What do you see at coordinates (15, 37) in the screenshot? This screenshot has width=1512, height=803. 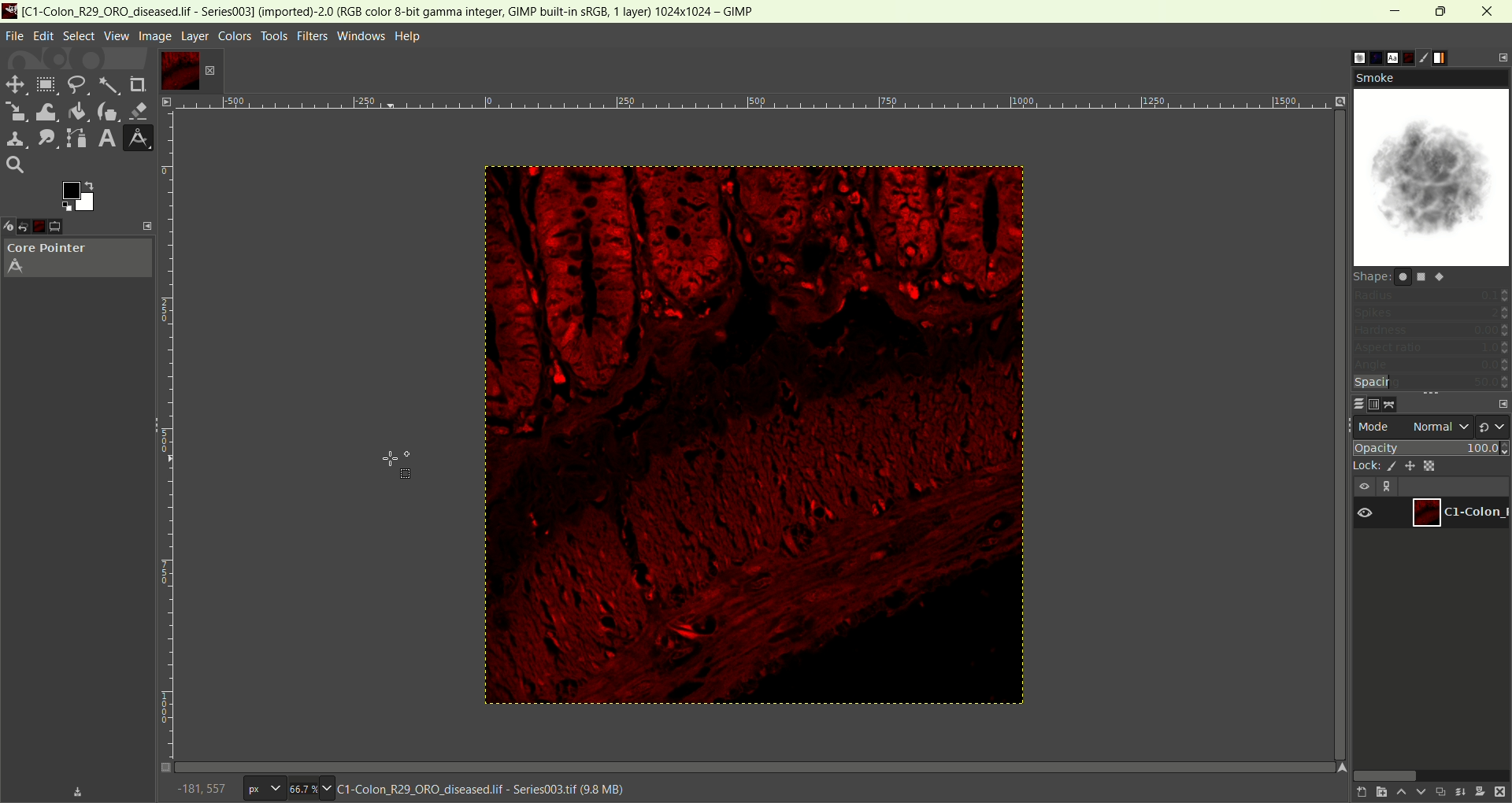 I see `file` at bounding box center [15, 37].